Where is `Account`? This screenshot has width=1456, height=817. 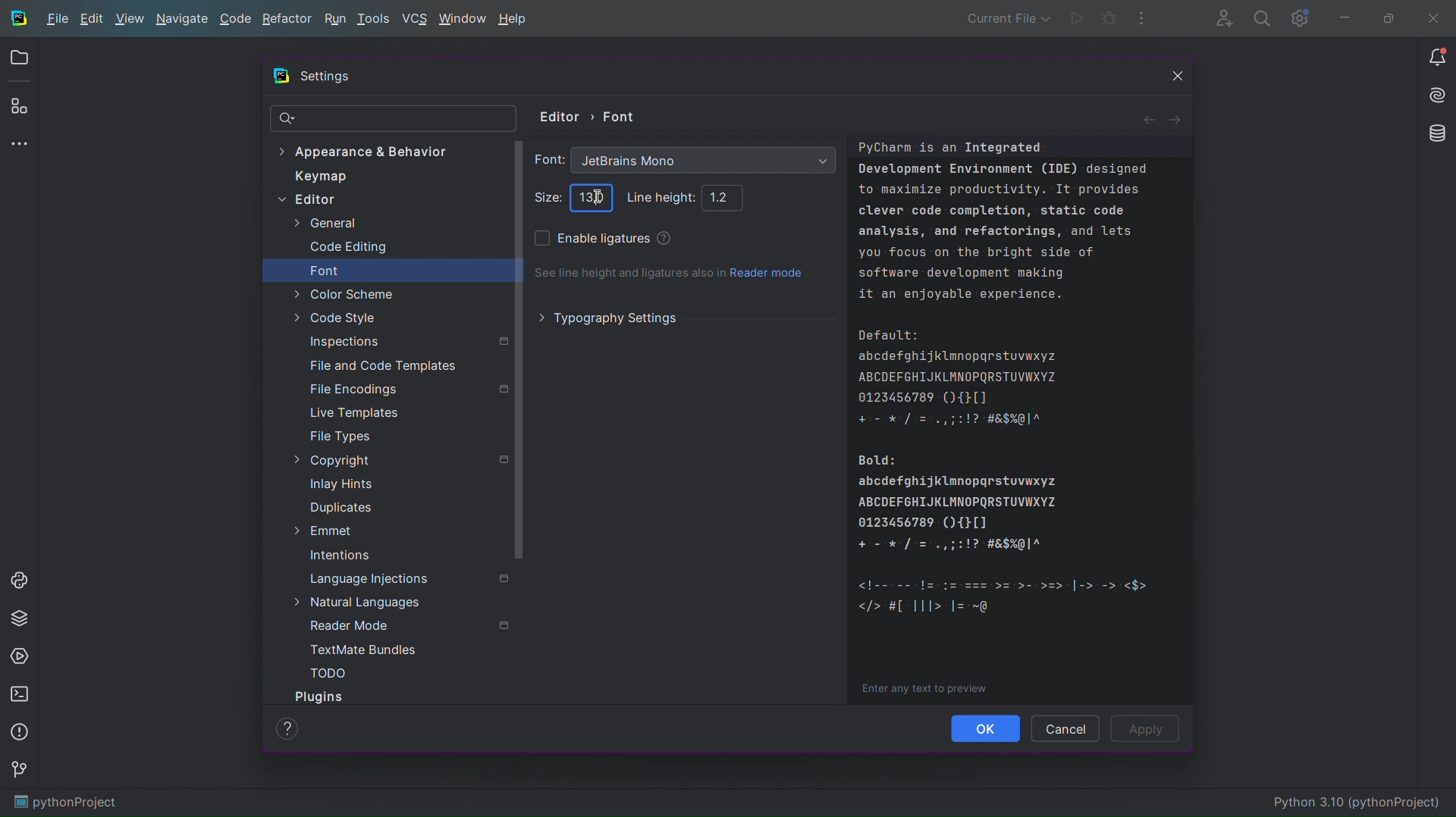
Account is located at coordinates (1221, 17).